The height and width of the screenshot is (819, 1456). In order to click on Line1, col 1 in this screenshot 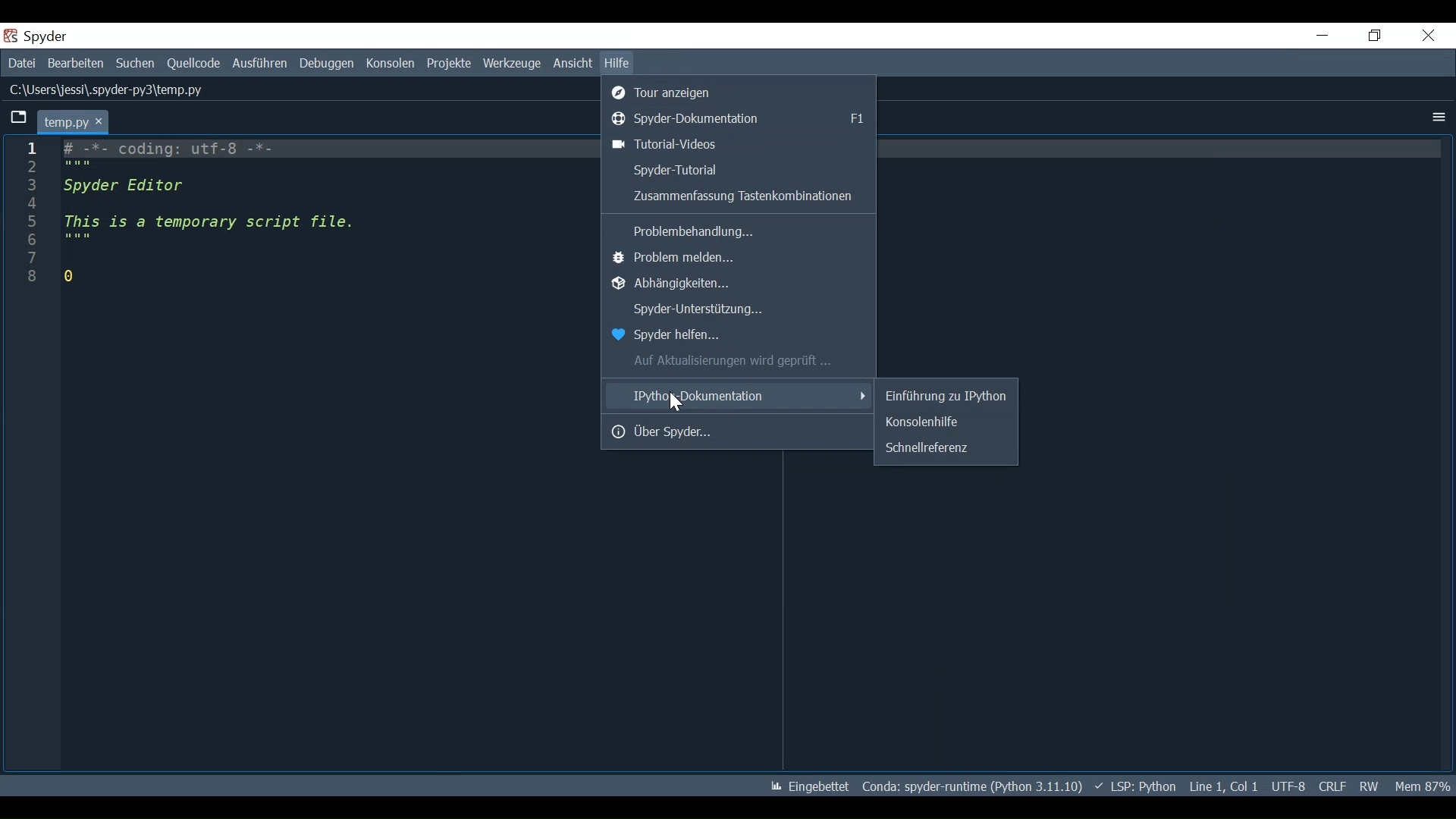, I will do `click(1225, 786)`.